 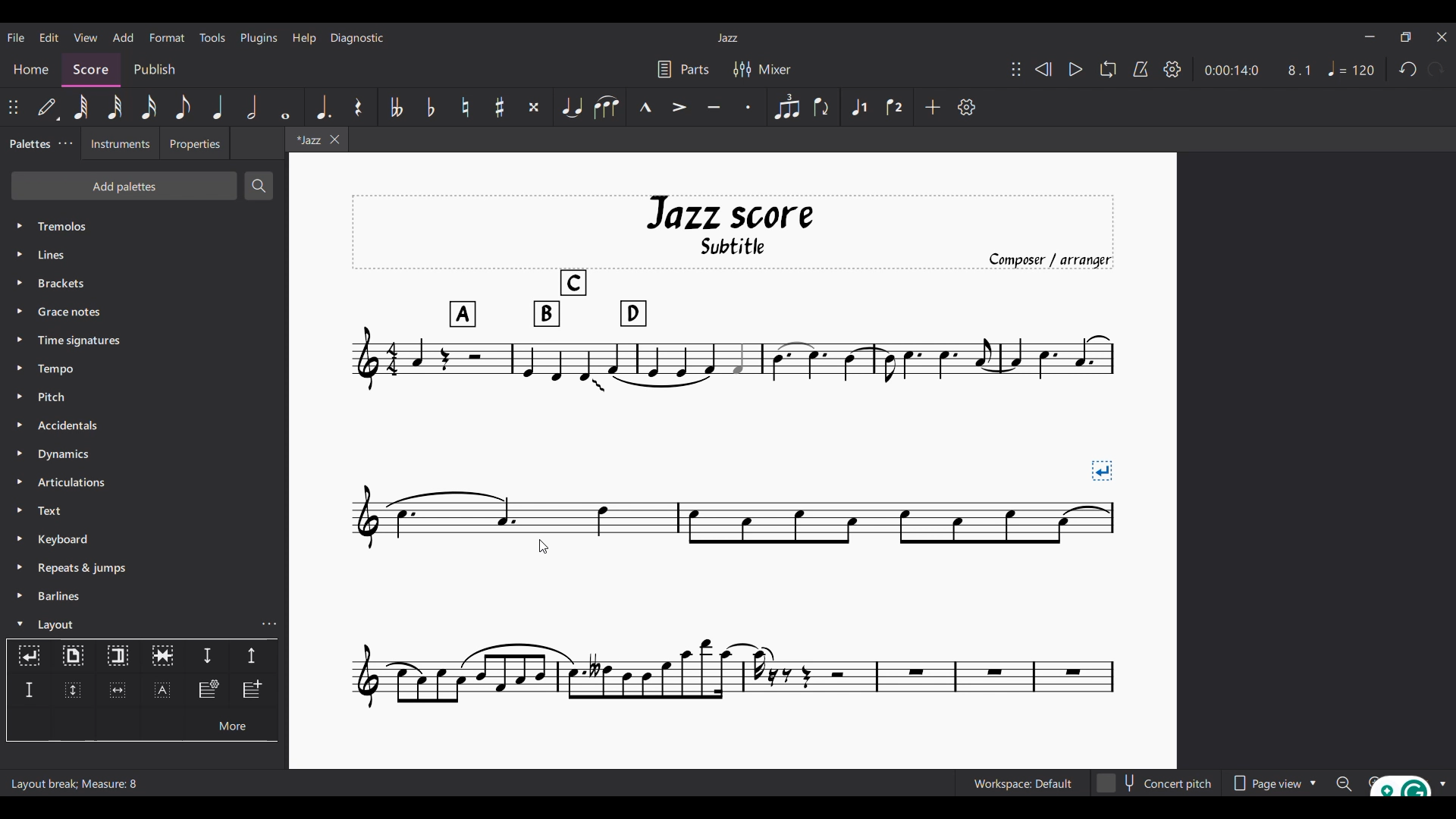 What do you see at coordinates (1351, 68) in the screenshot?
I see `Tempo` at bounding box center [1351, 68].